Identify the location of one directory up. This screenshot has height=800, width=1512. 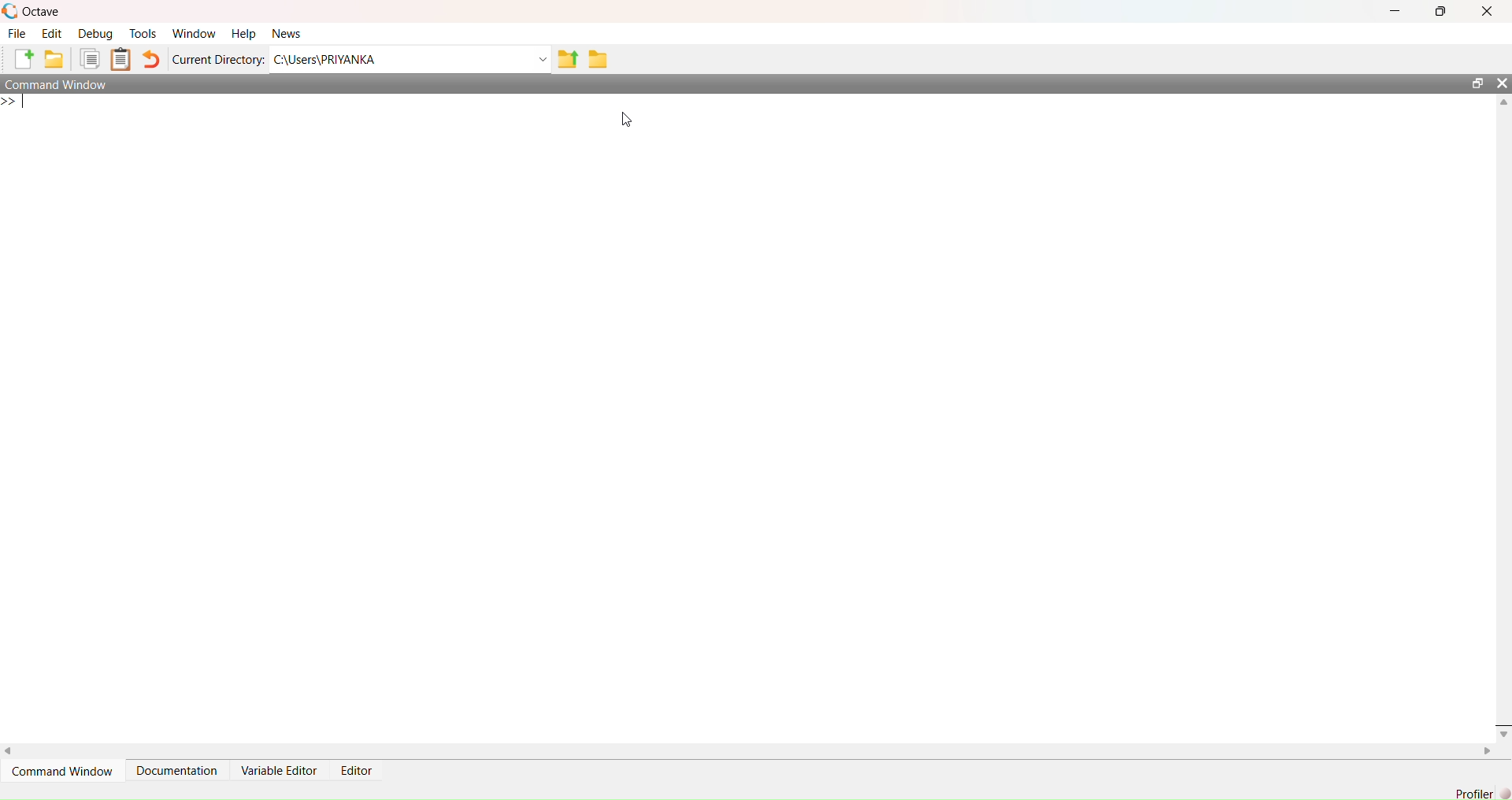
(570, 57).